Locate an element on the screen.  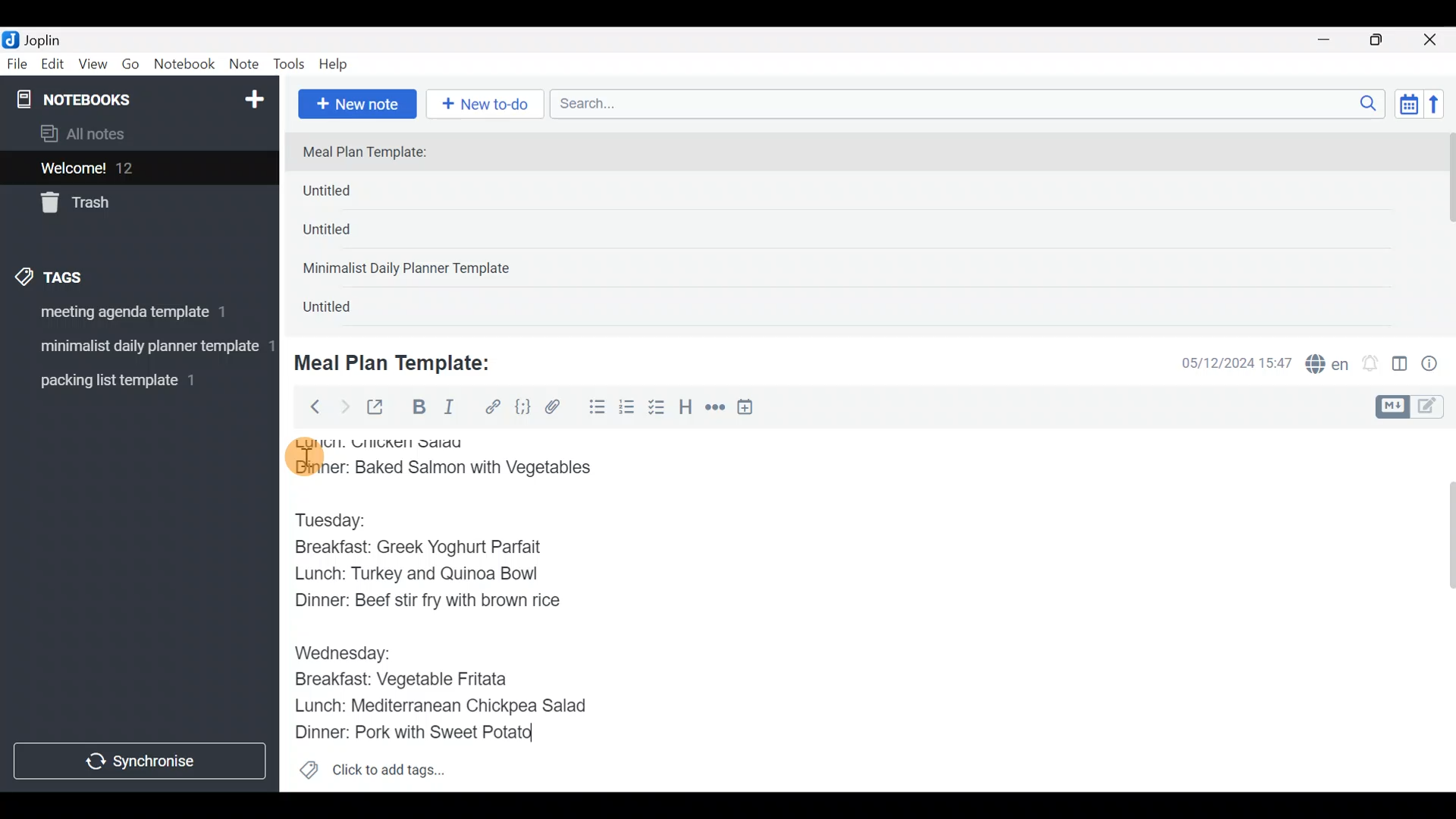
Go is located at coordinates (130, 67).